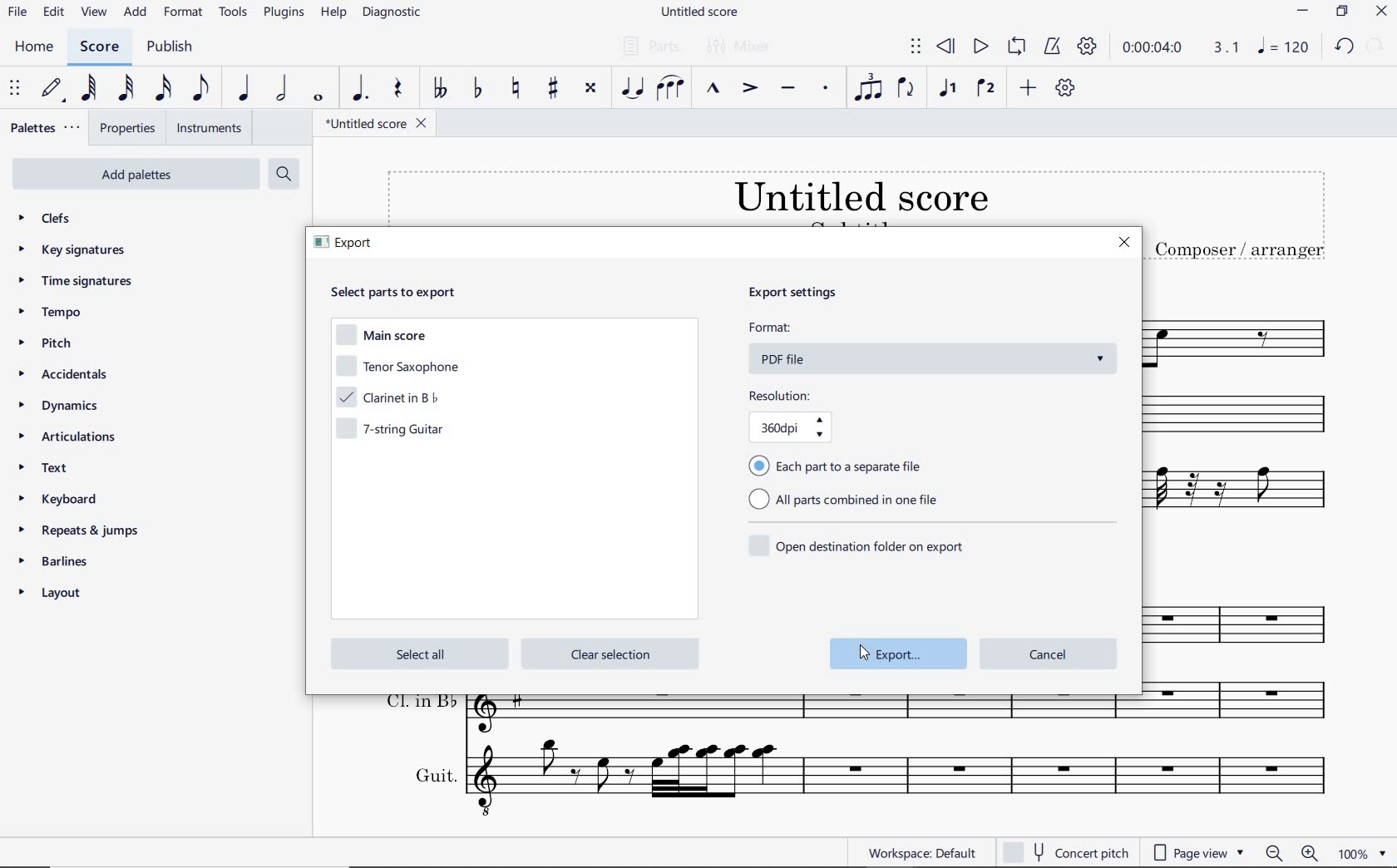  What do you see at coordinates (650, 46) in the screenshot?
I see `PARTS` at bounding box center [650, 46].